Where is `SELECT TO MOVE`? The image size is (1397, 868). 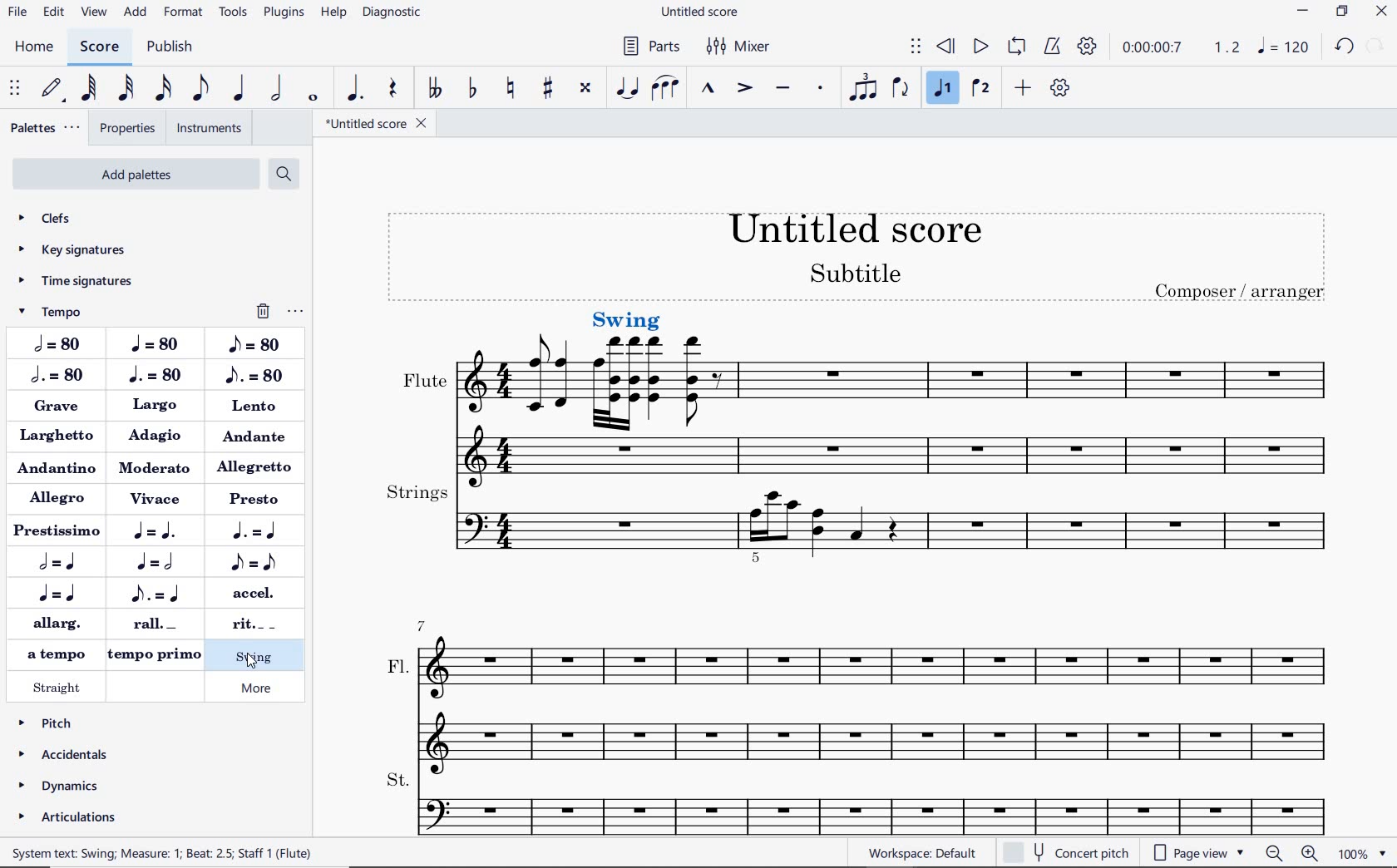 SELECT TO MOVE is located at coordinates (916, 48).